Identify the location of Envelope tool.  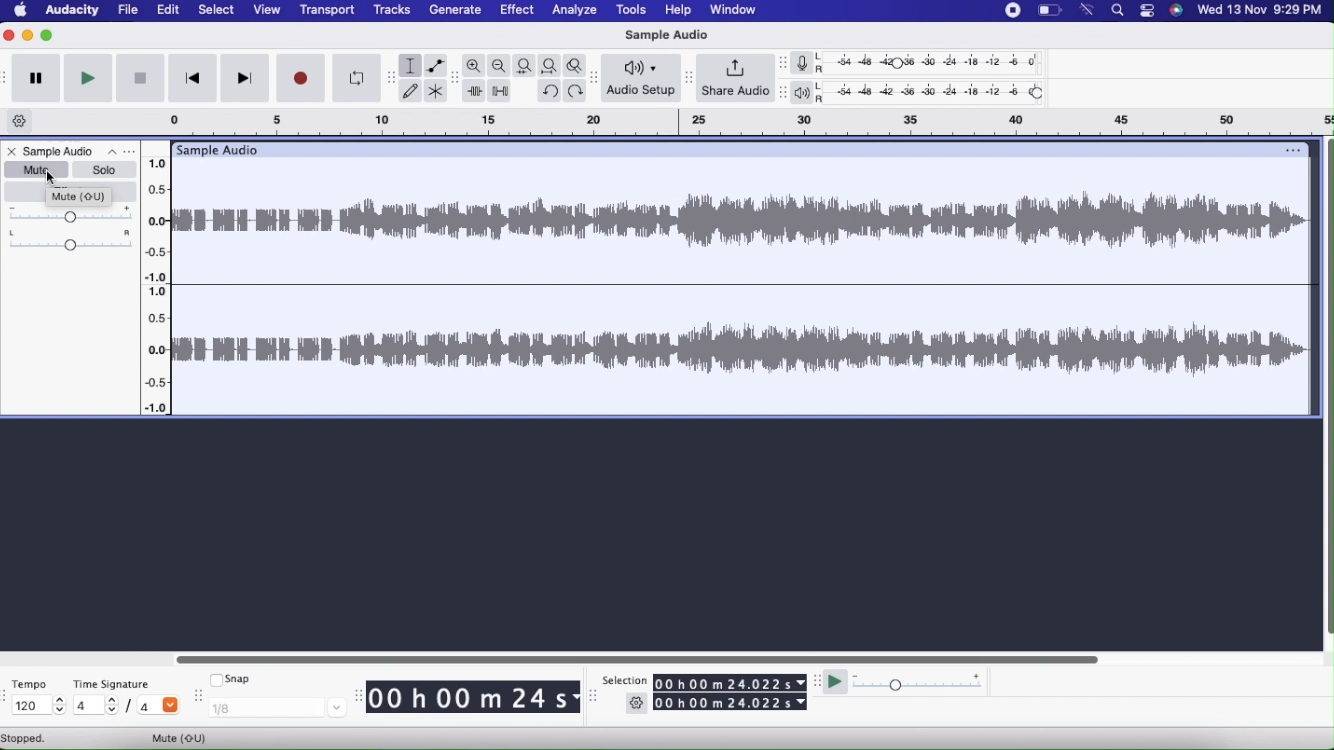
(436, 65).